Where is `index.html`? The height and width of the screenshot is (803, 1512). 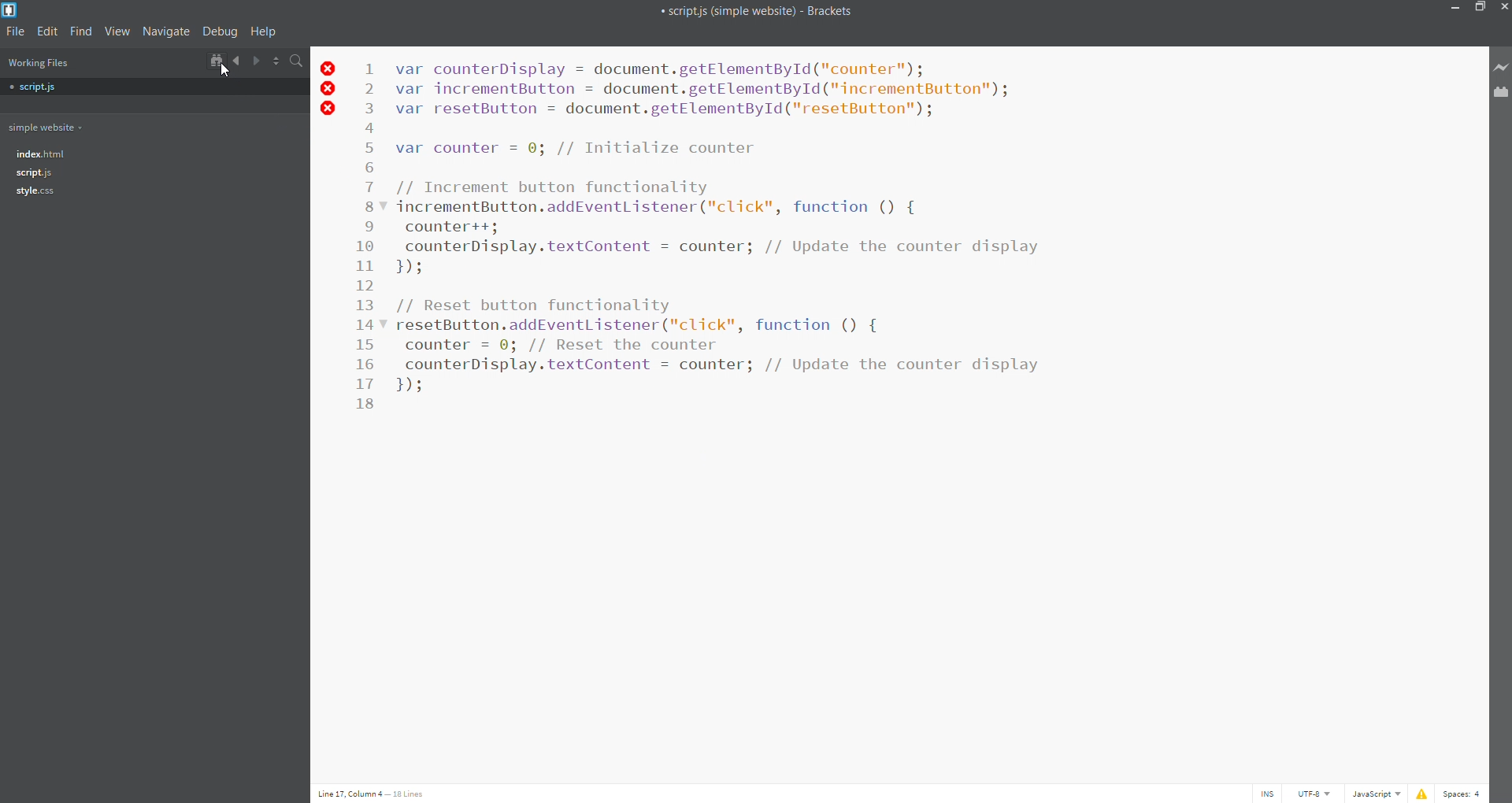
index.html is located at coordinates (39, 154).